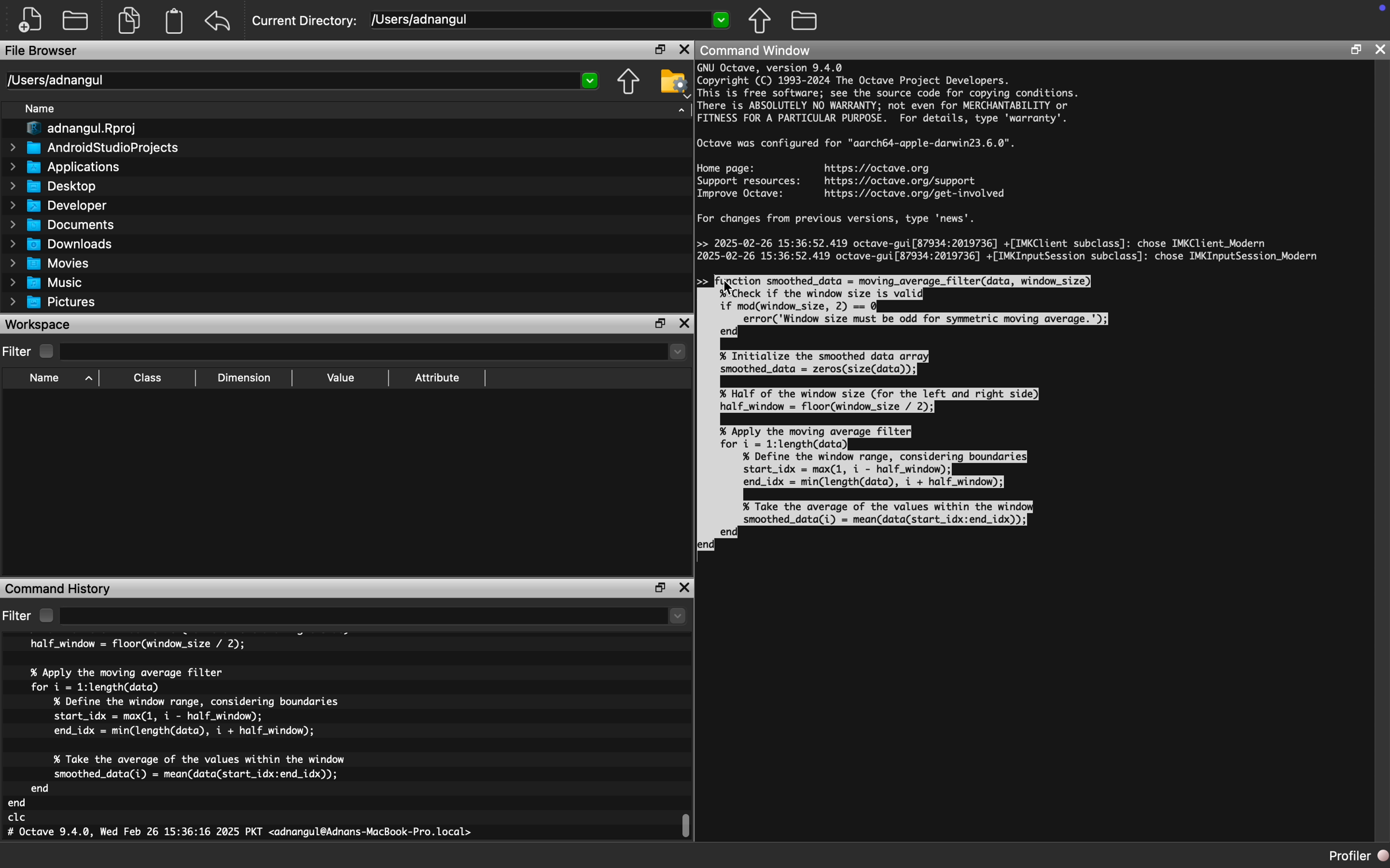 The height and width of the screenshot is (868, 1390). What do you see at coordinates (57, 206) in the screenshot?
I see `Developer` at bounding box center [57, 206].